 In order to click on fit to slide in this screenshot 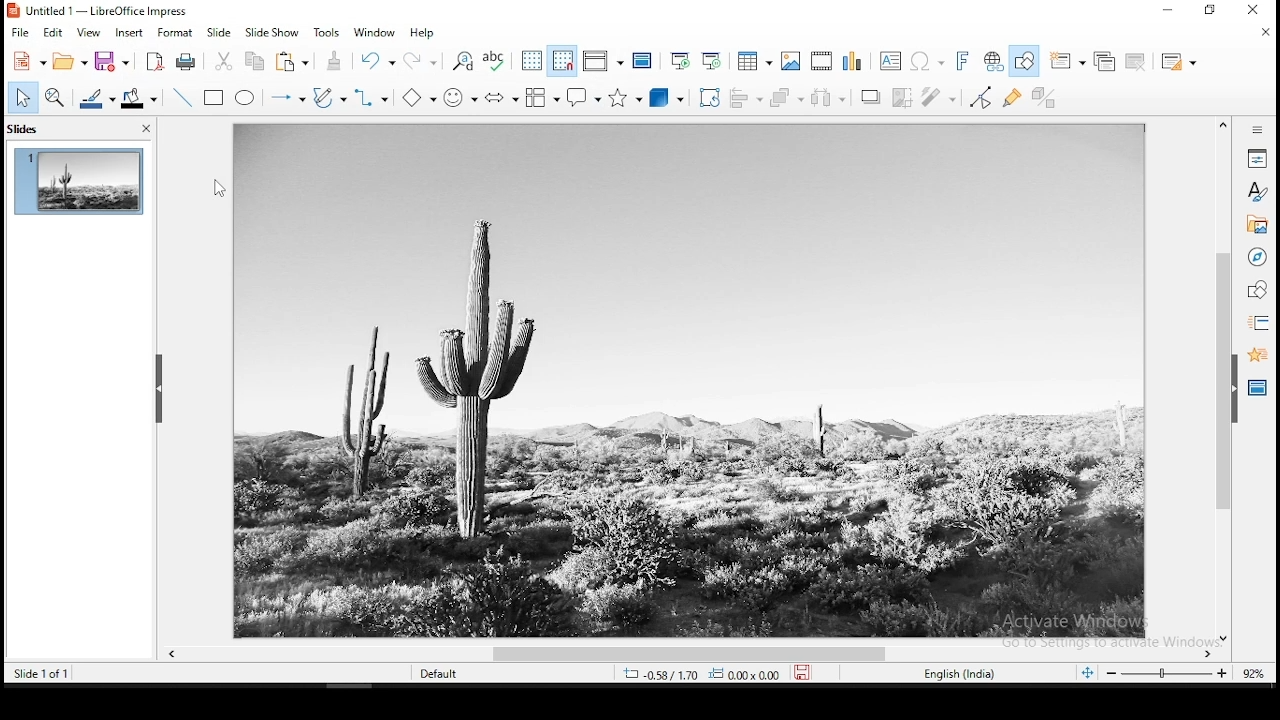, I will do `click(1085, 673)`.